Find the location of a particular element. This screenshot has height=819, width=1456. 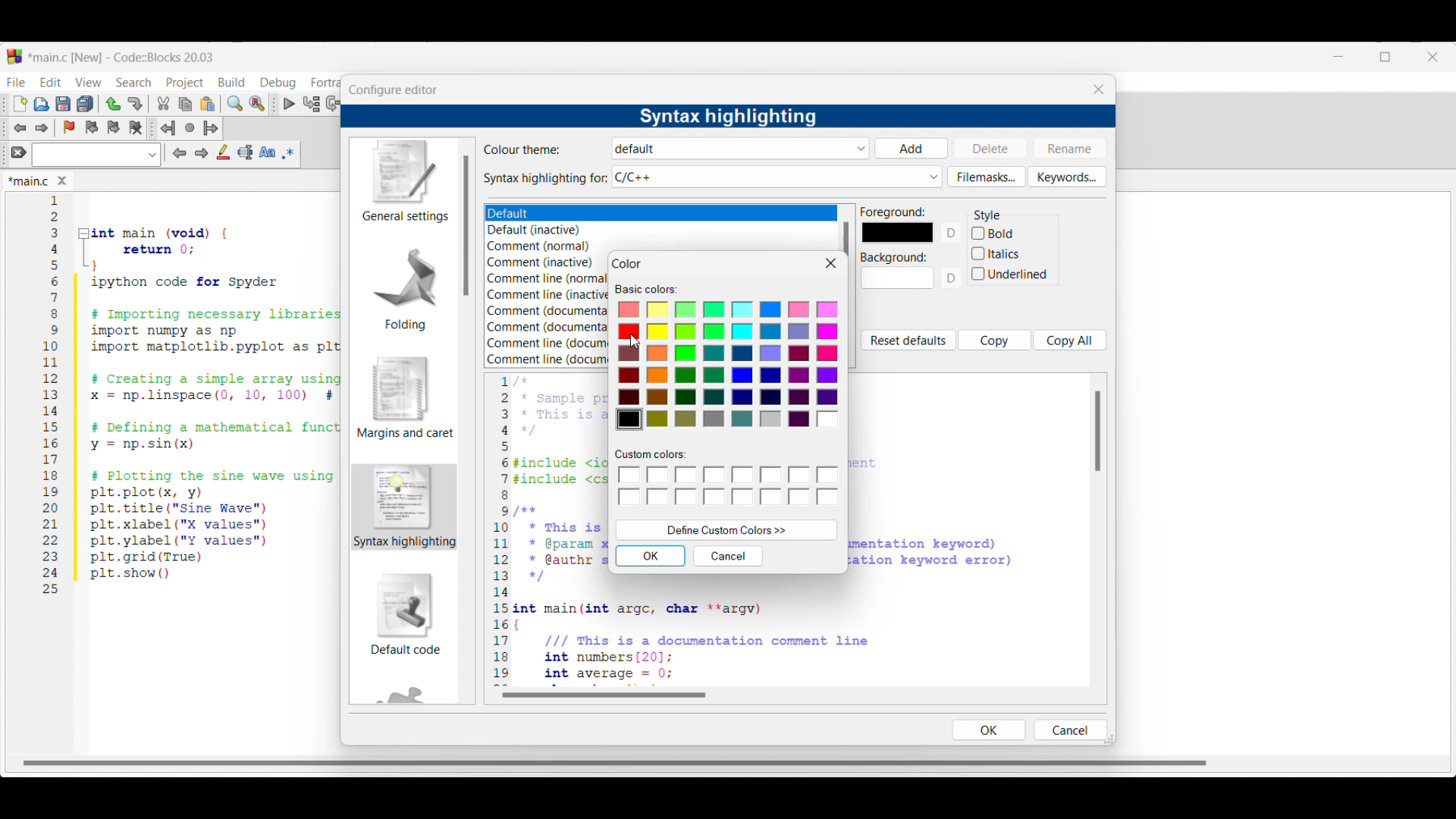

Sample code is located at coordinates (549, 530).